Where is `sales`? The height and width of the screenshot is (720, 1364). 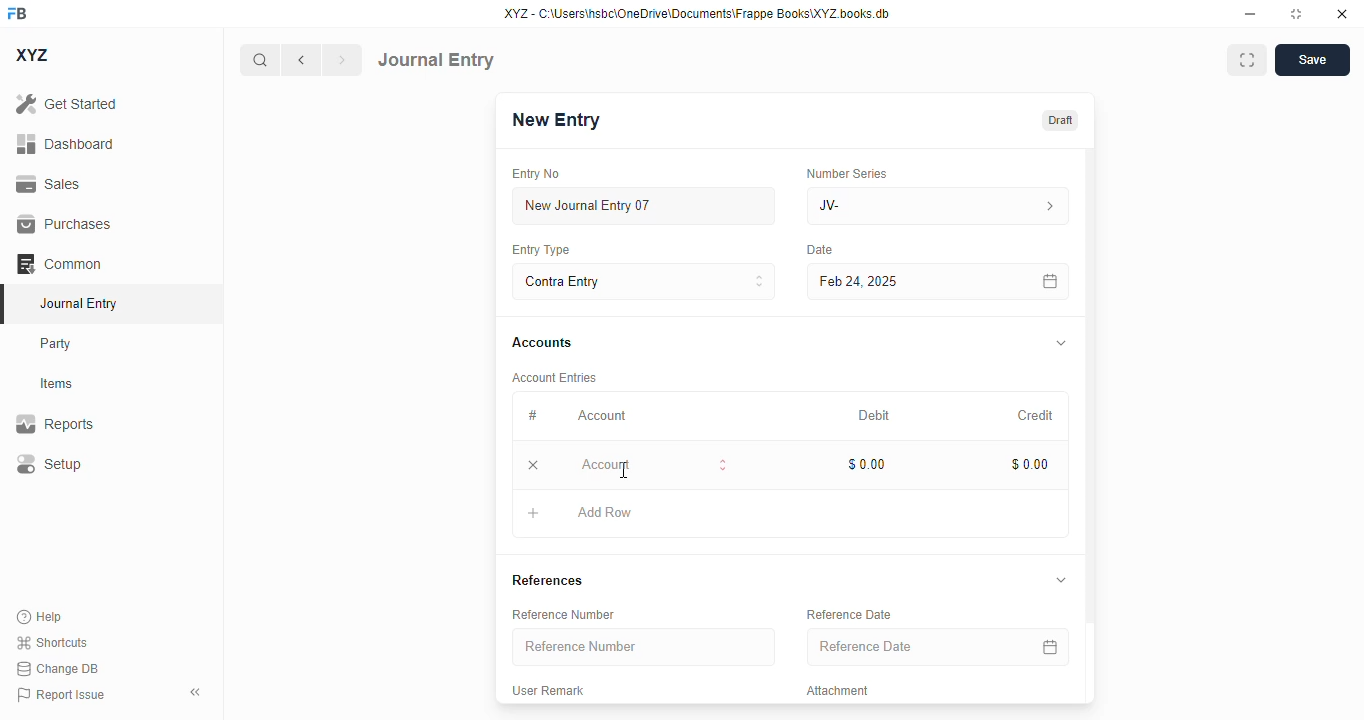 sales is located at coordinates (48, 184).